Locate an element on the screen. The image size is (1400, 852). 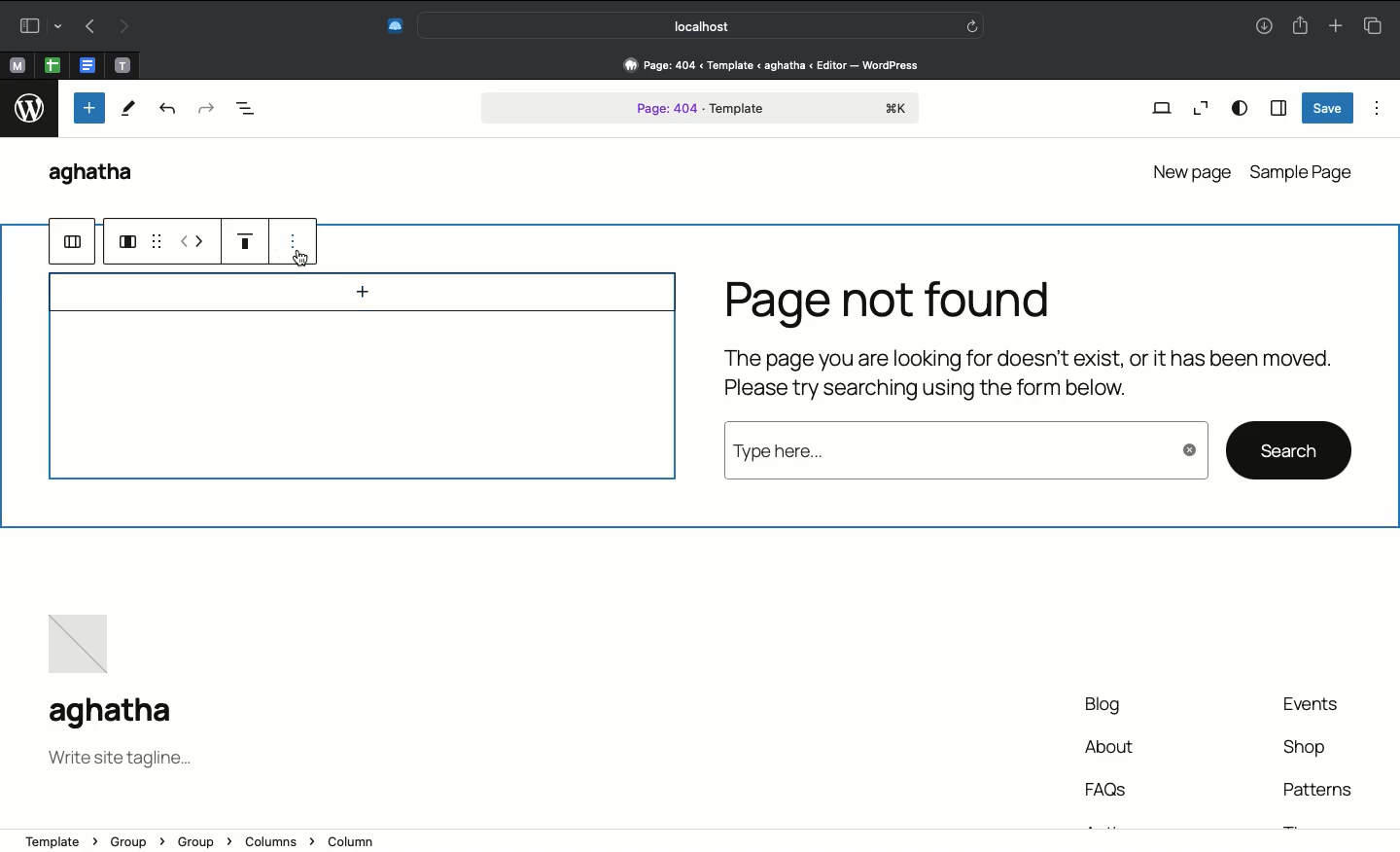
Zoom out is located at coordinates (1198, 109).